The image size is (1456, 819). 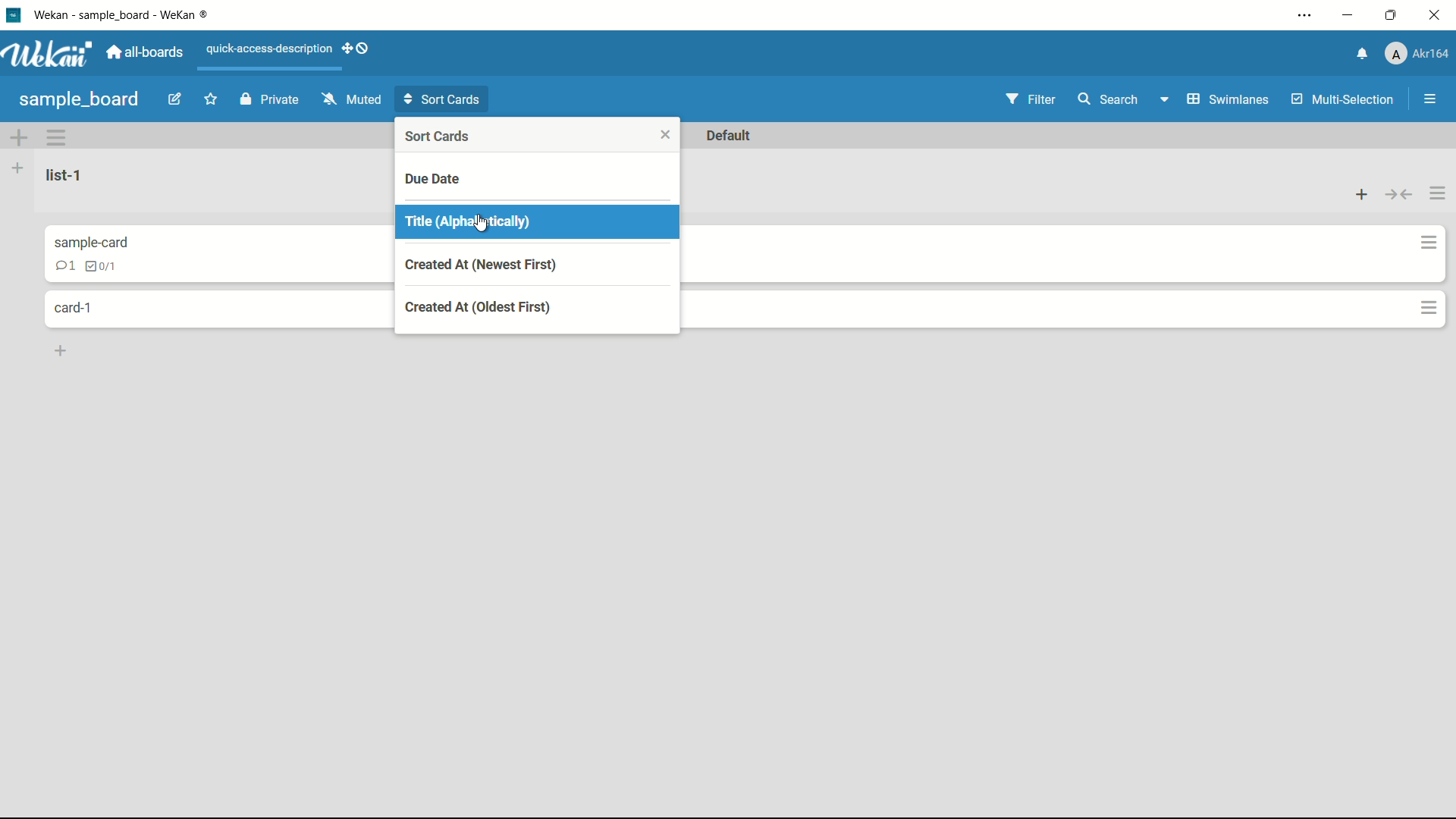 I want to click on created at(newest first), so click(x=481, y=265).